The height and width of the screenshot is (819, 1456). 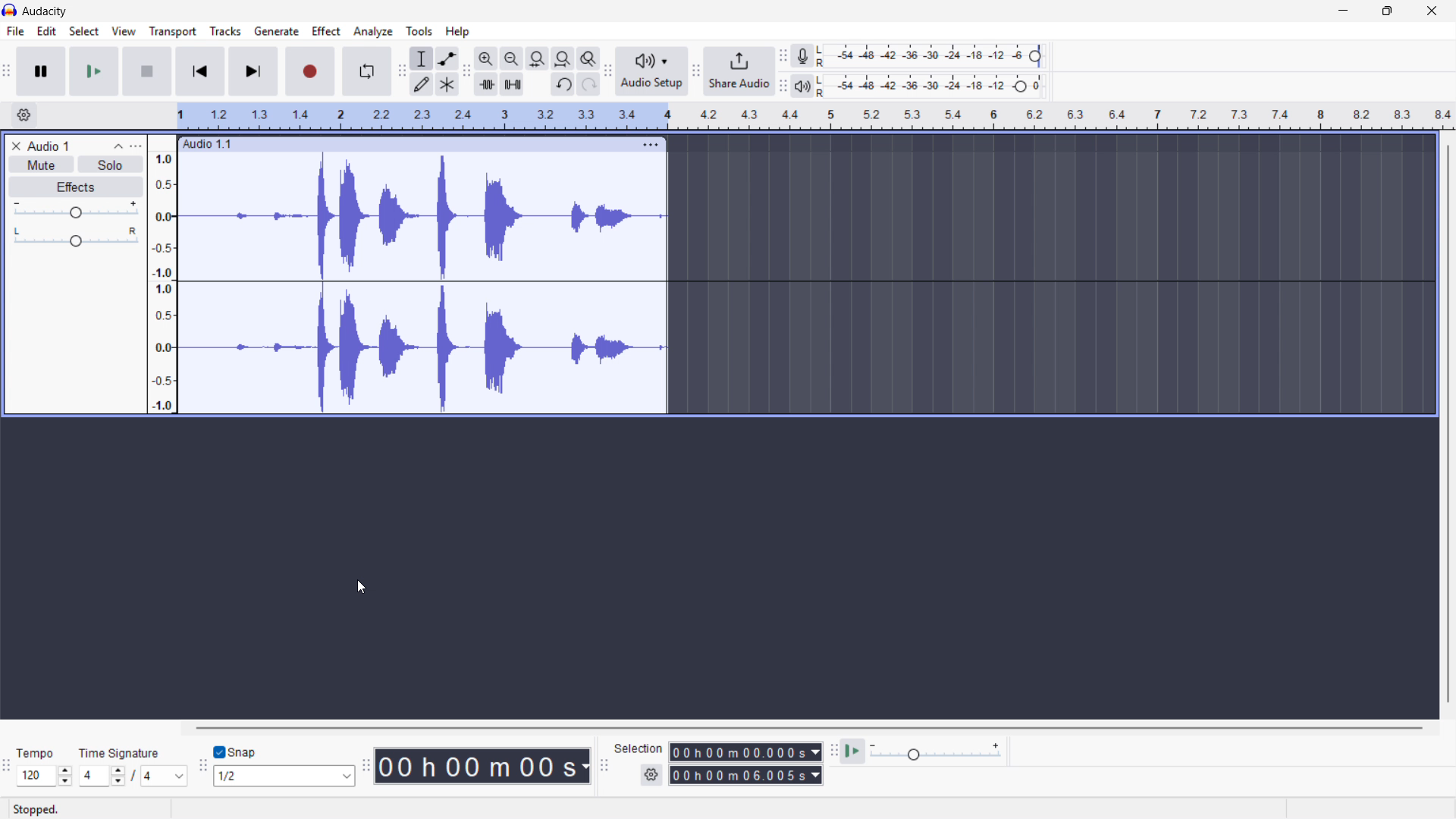 I want to click on undo, so click(x=563, y=85).